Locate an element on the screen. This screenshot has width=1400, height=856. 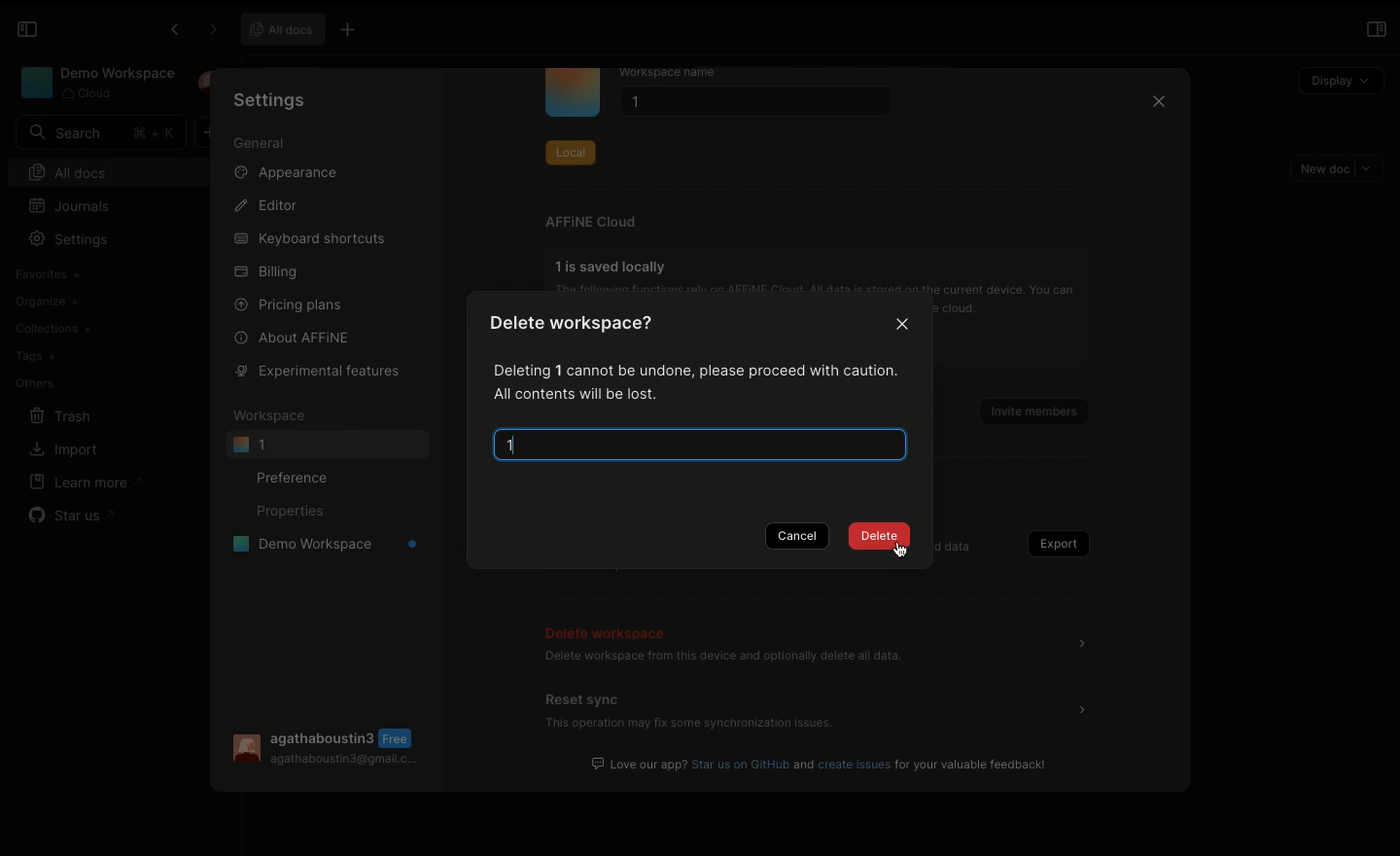
Search is located at coordinates (100, 132).